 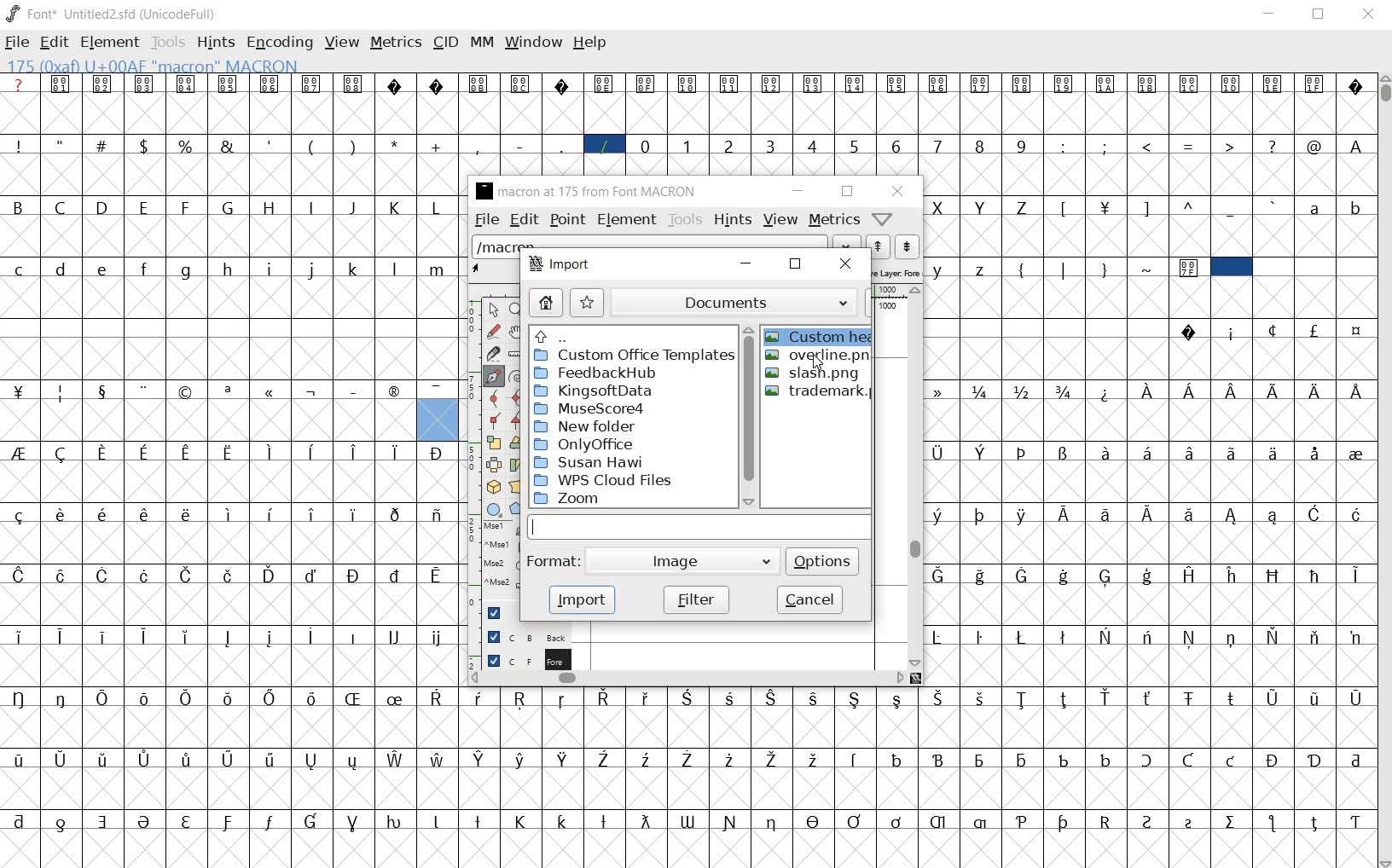 What do you see at coordinates (312, 145) in the screenshot?
I see `(` at bounding box center [312, 145].